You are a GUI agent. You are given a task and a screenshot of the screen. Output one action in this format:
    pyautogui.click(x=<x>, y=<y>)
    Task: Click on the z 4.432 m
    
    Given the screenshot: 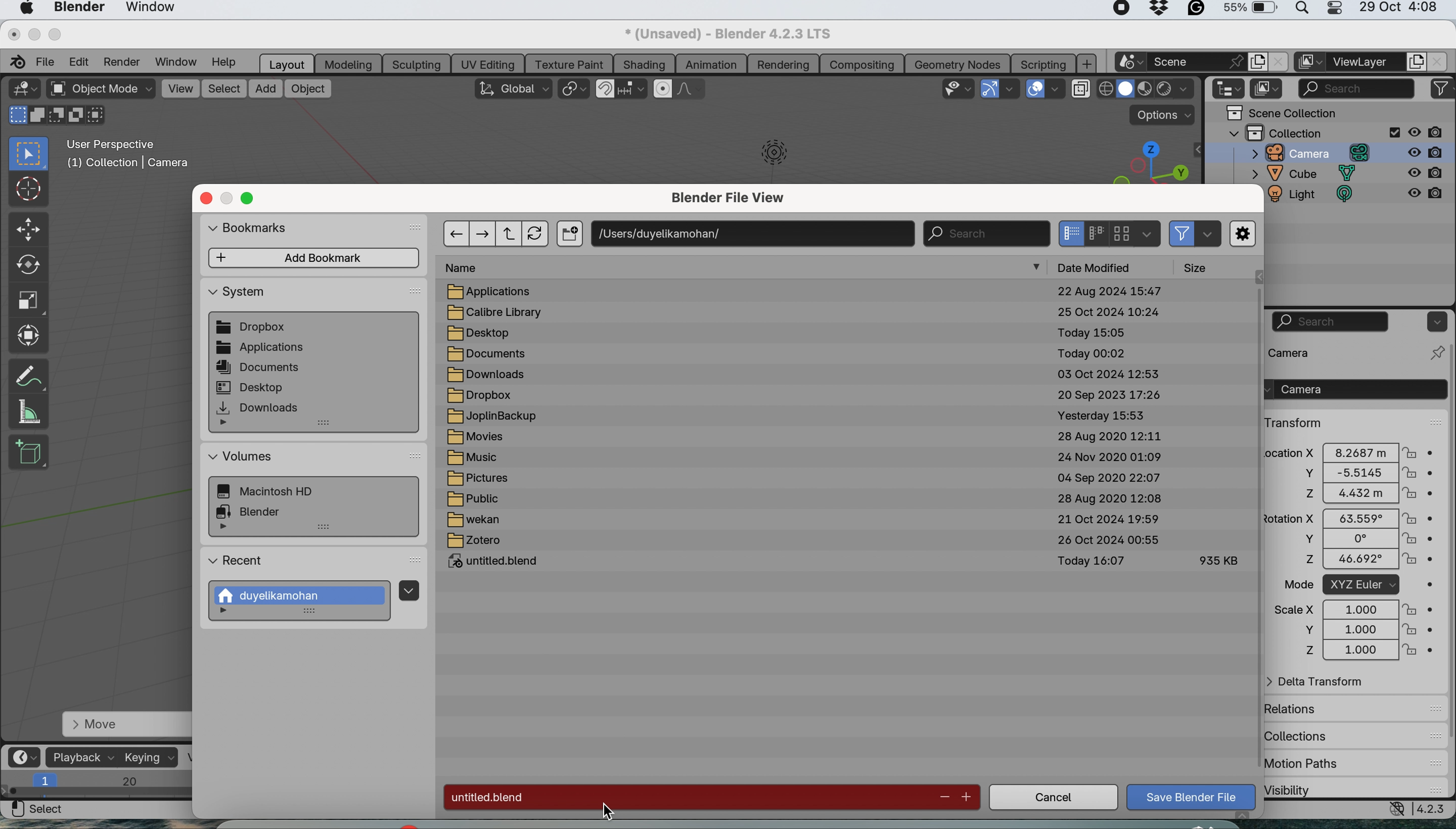 What is the action you would take?
    pyautogui.click(x=1353, y=494)
    